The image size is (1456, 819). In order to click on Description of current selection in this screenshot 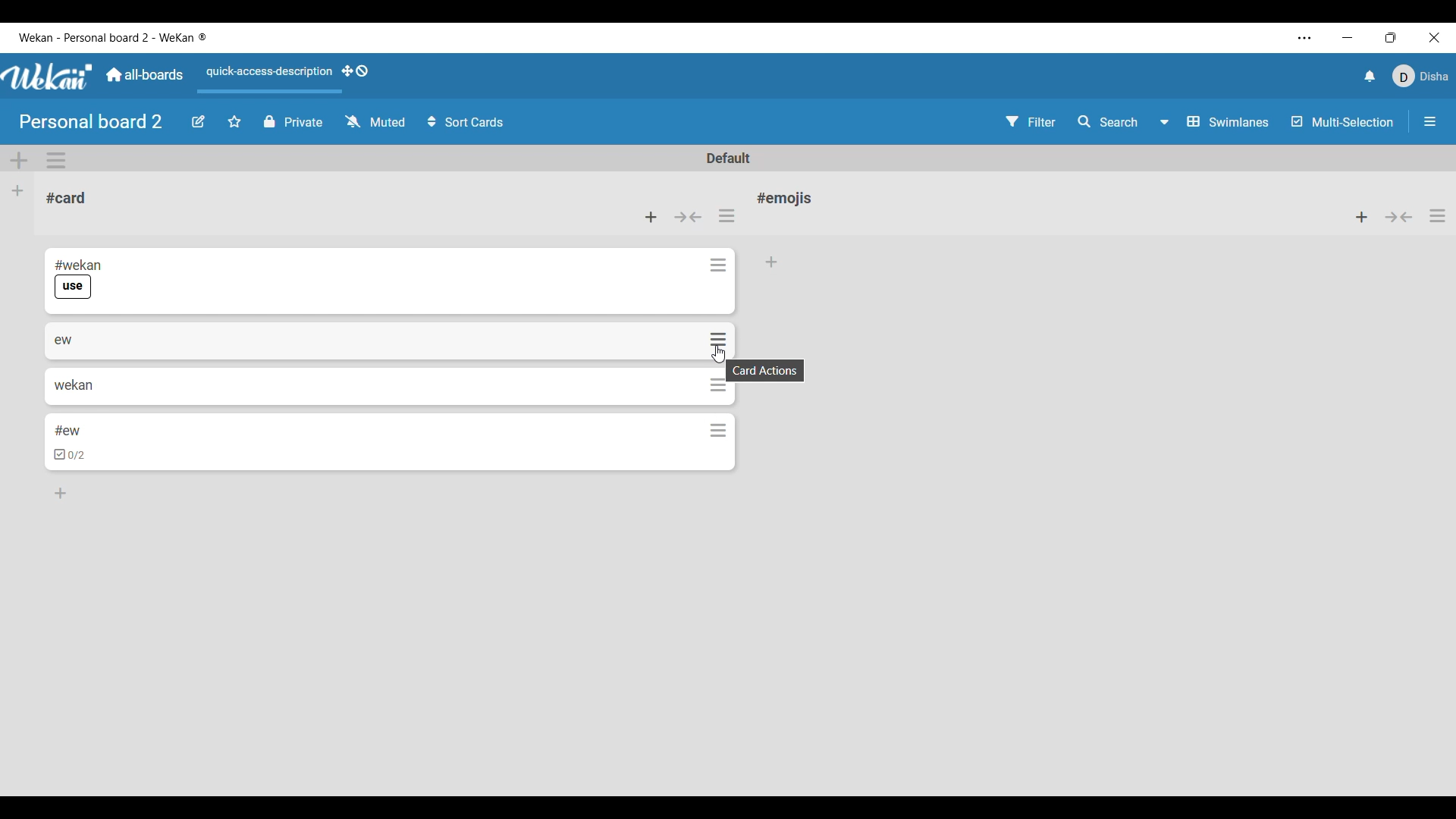, I will do `click(765, 371)`.